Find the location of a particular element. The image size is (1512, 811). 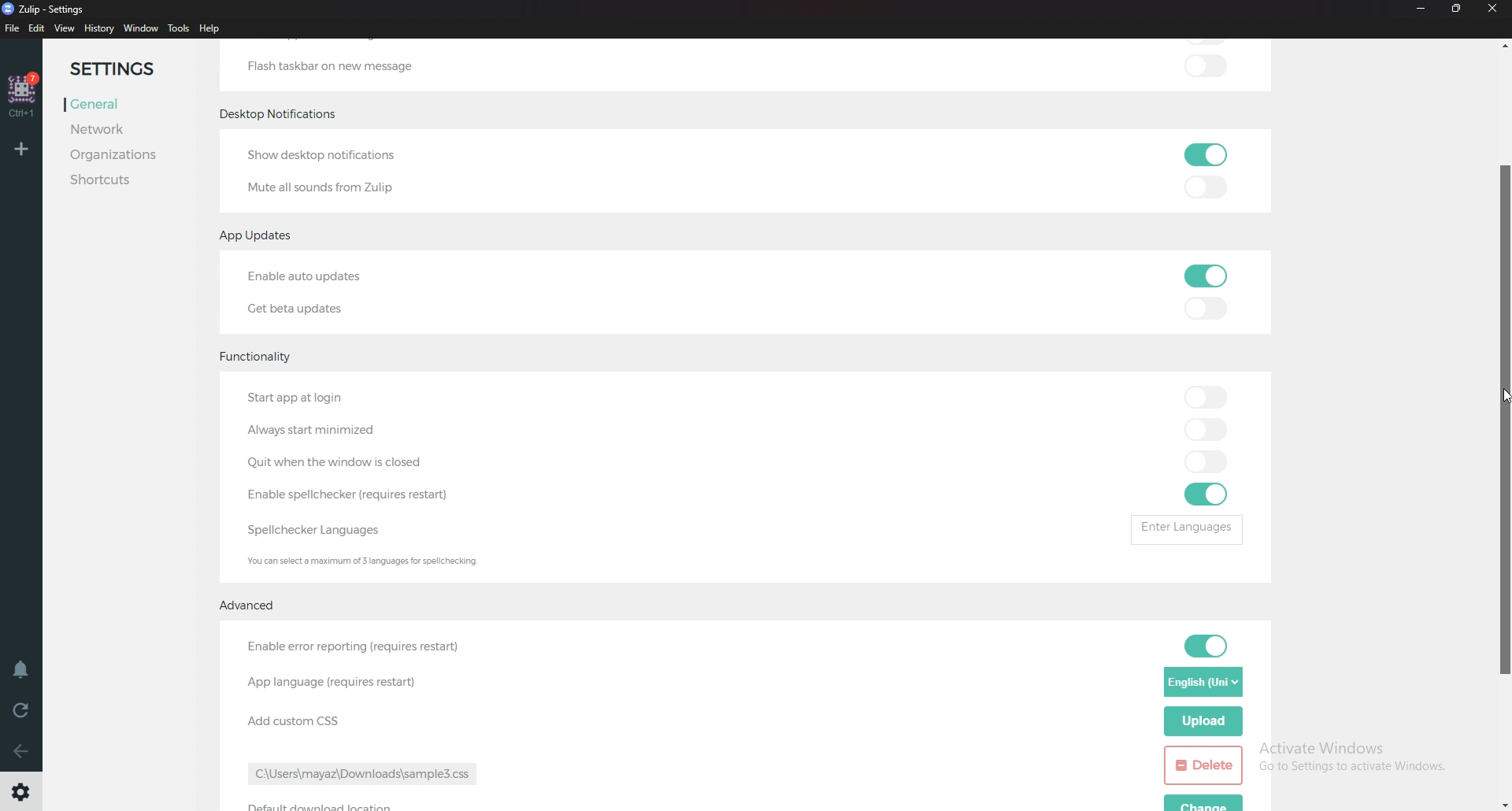

enable error reporting is located at coordinates (354, 648).